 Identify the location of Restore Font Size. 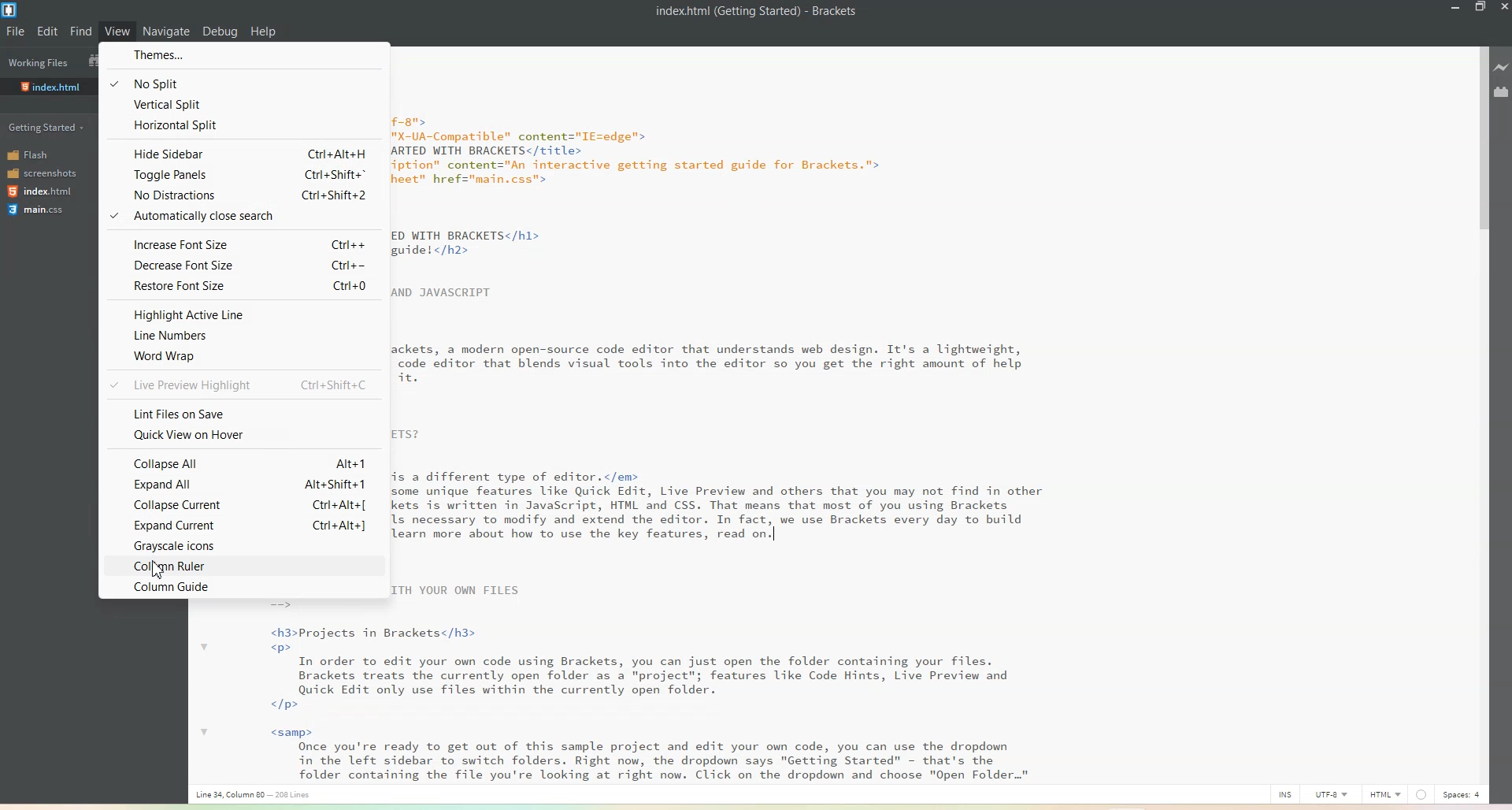
(241, 286).